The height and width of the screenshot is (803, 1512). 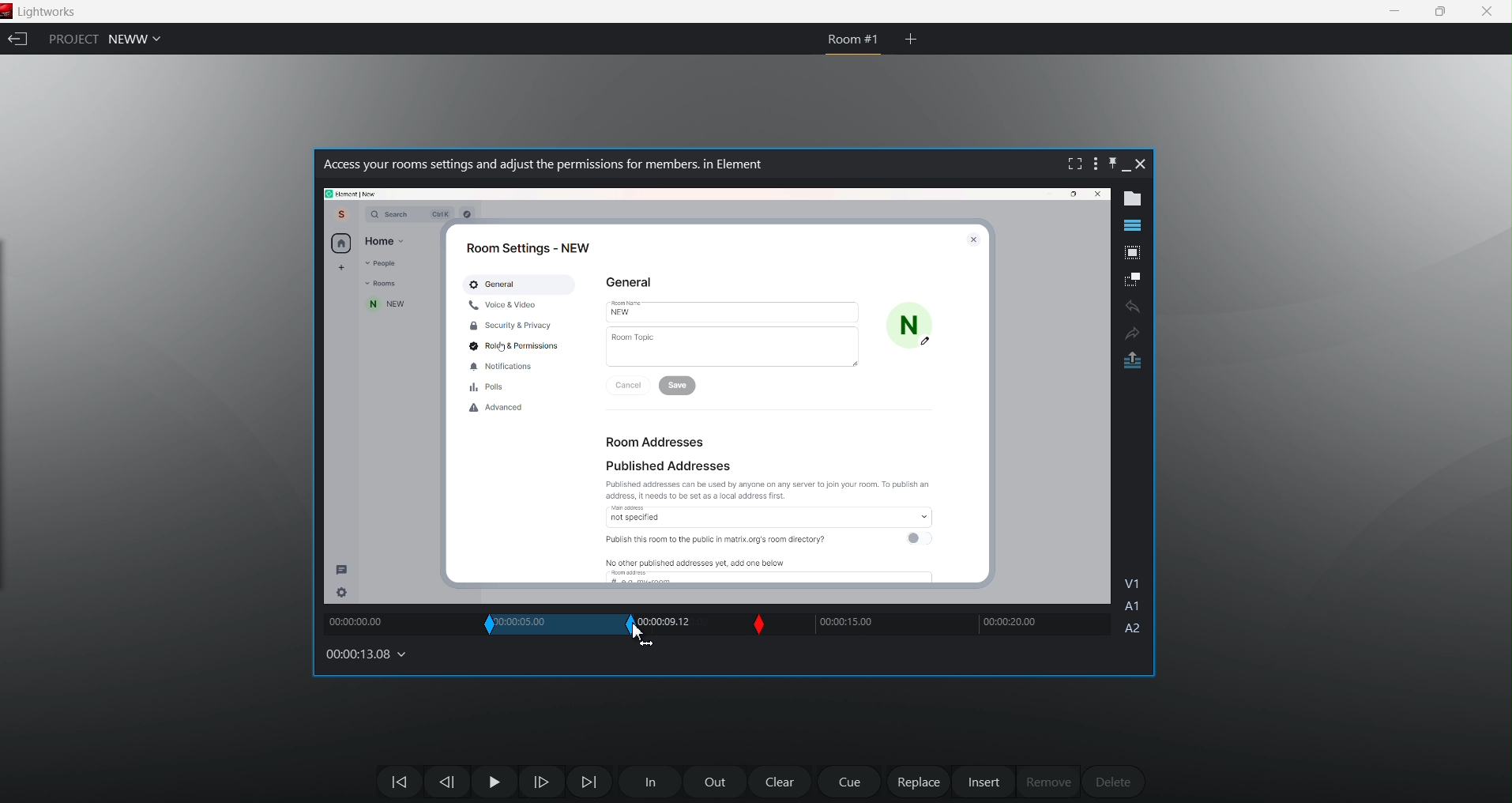 I want to click on create new room, so click(x=911, y=37).